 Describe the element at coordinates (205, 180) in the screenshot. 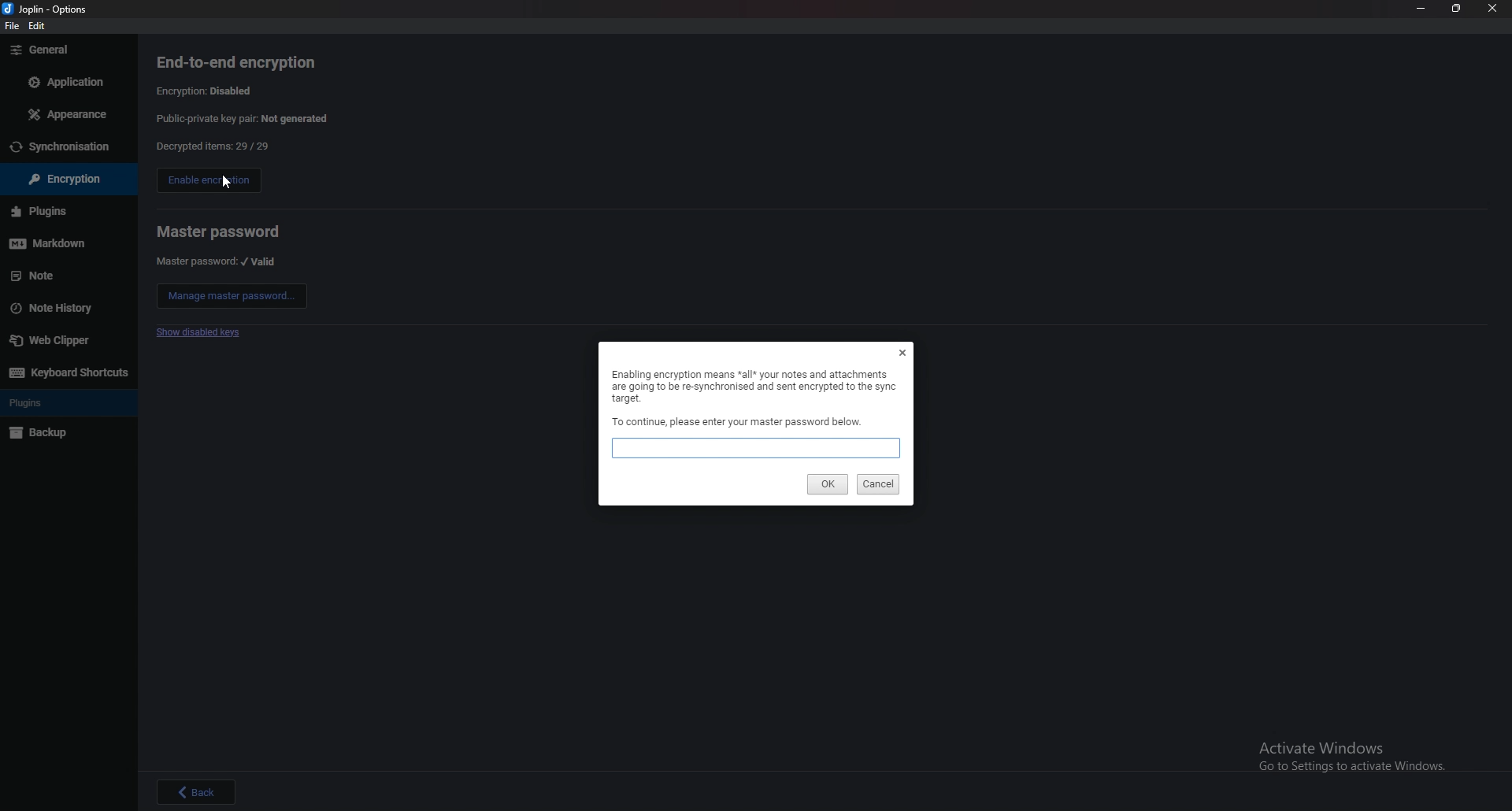

I see `enable encryption` at that location.